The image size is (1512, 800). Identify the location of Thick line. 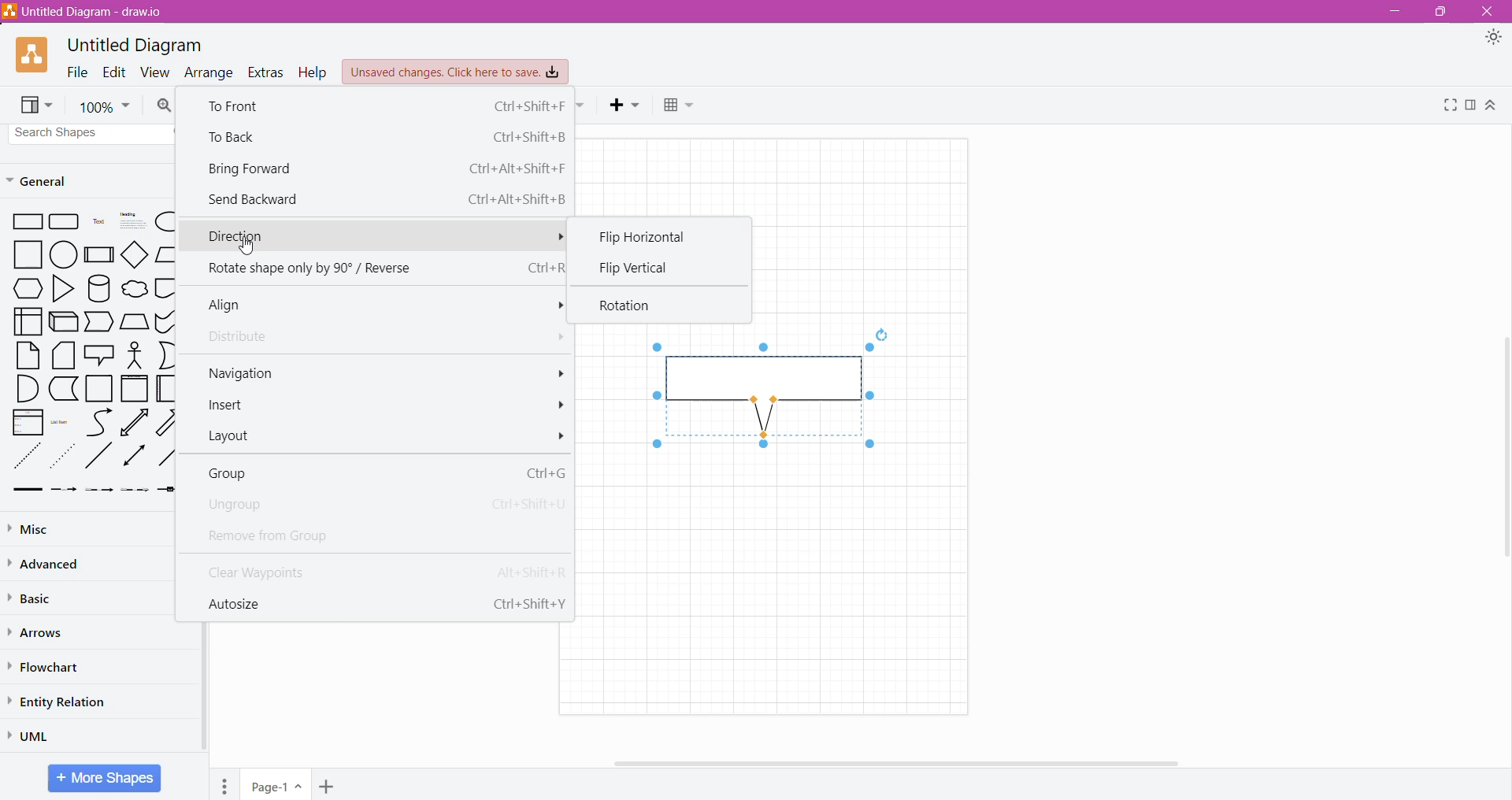
(28, 491).